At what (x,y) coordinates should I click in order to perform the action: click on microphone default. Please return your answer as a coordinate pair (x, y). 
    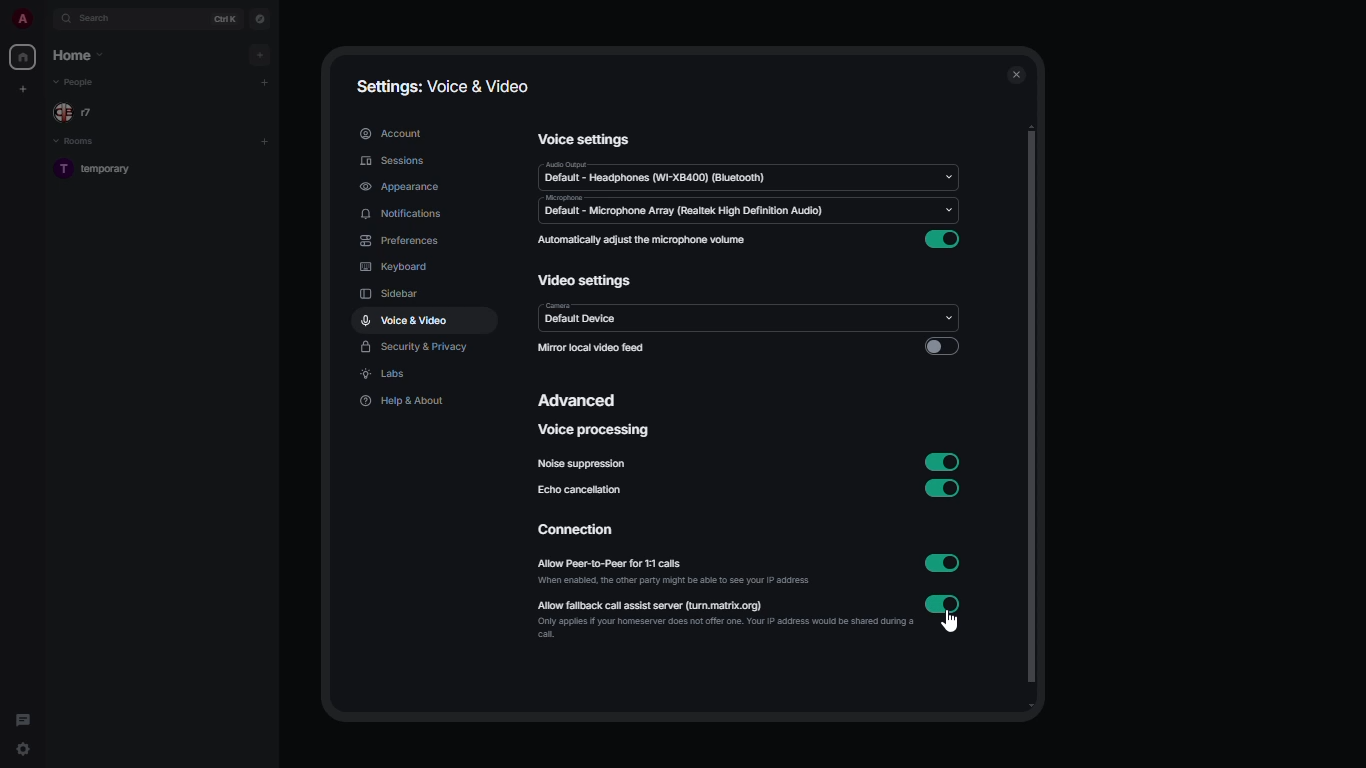
    Looking at the image, I should click on (684, 207).